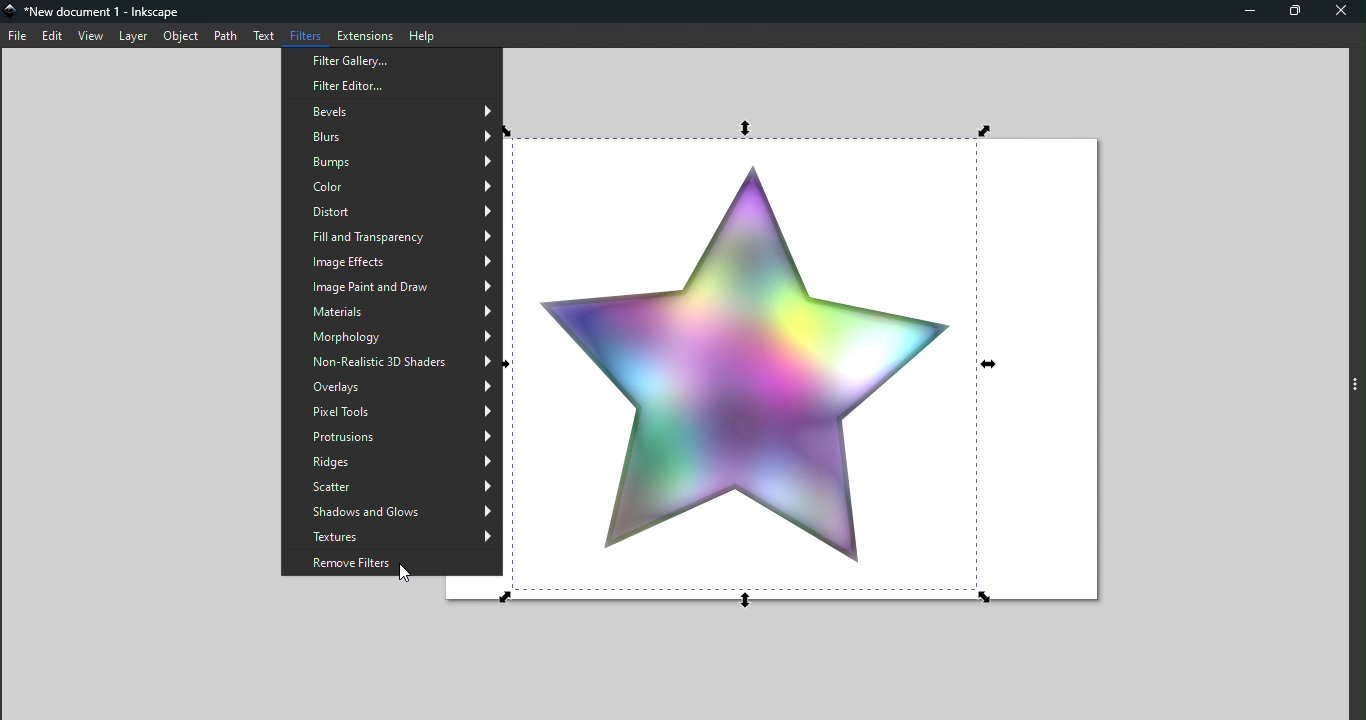  I want to click on Cursor, so click(406, 575).